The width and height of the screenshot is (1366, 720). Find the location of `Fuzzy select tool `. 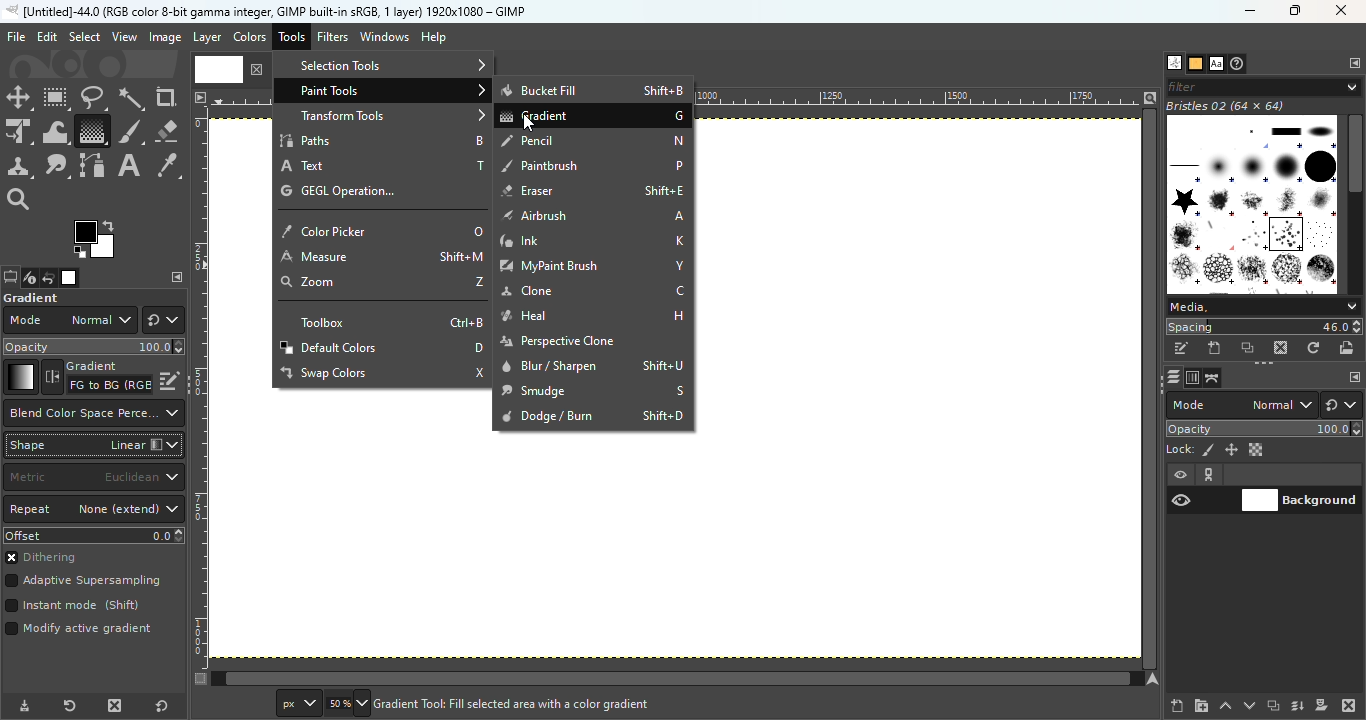

Fuzzy select tool  is located at coordinates (132, 98).